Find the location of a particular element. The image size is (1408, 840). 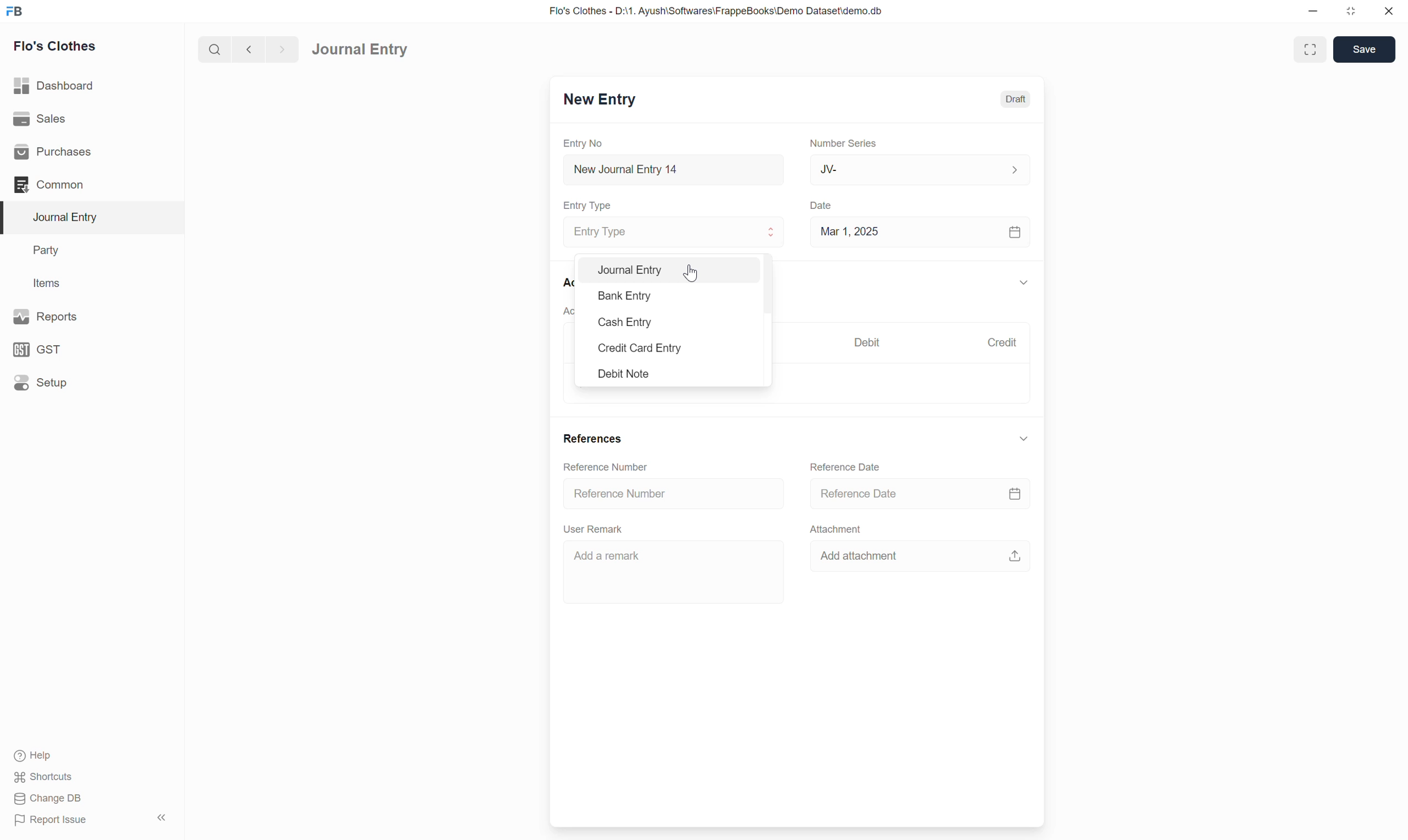

Shortcuts is located at coordinates (48, 777).